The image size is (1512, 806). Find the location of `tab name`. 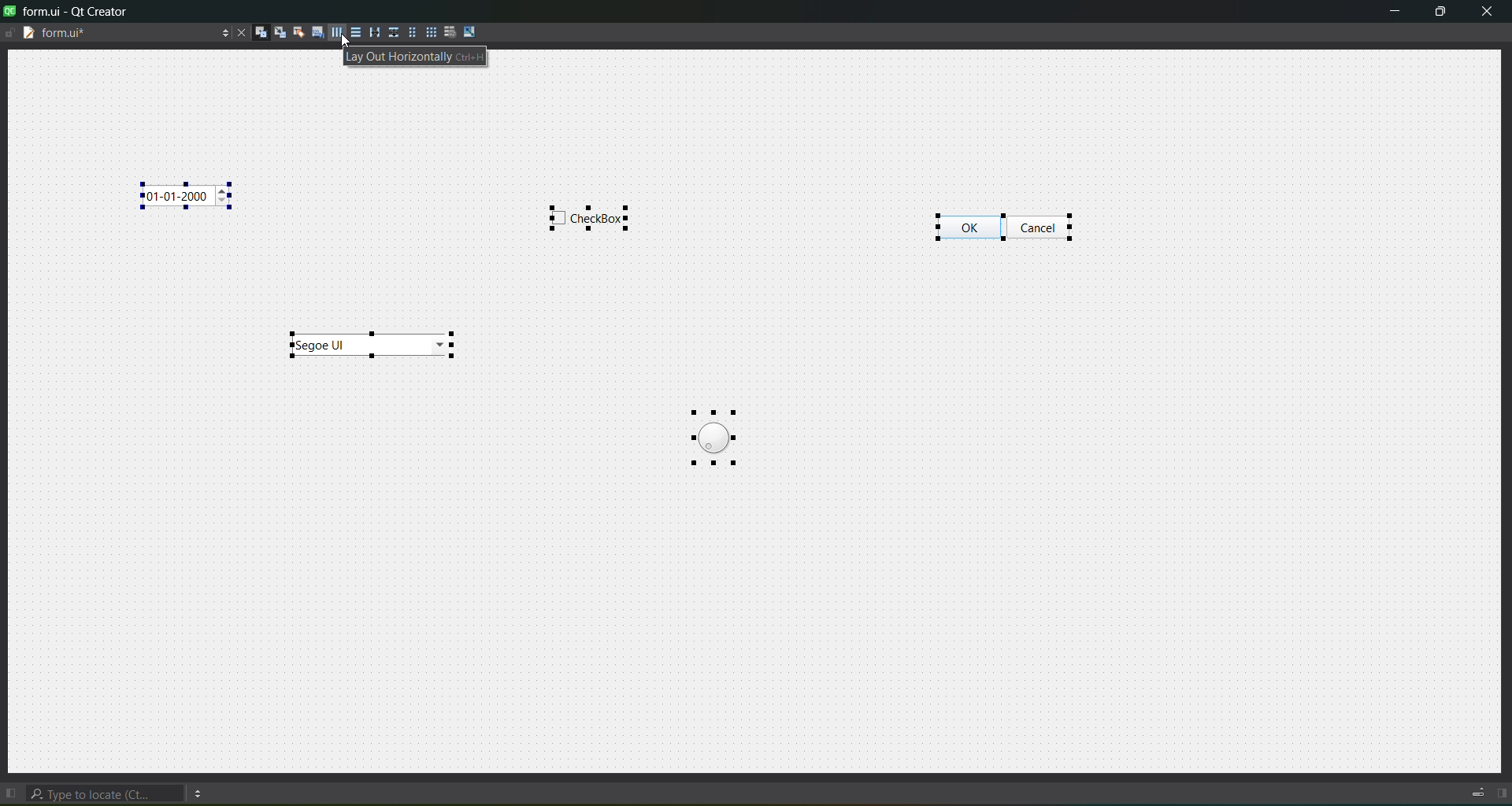

tab name is located at coordinates (76, 34).